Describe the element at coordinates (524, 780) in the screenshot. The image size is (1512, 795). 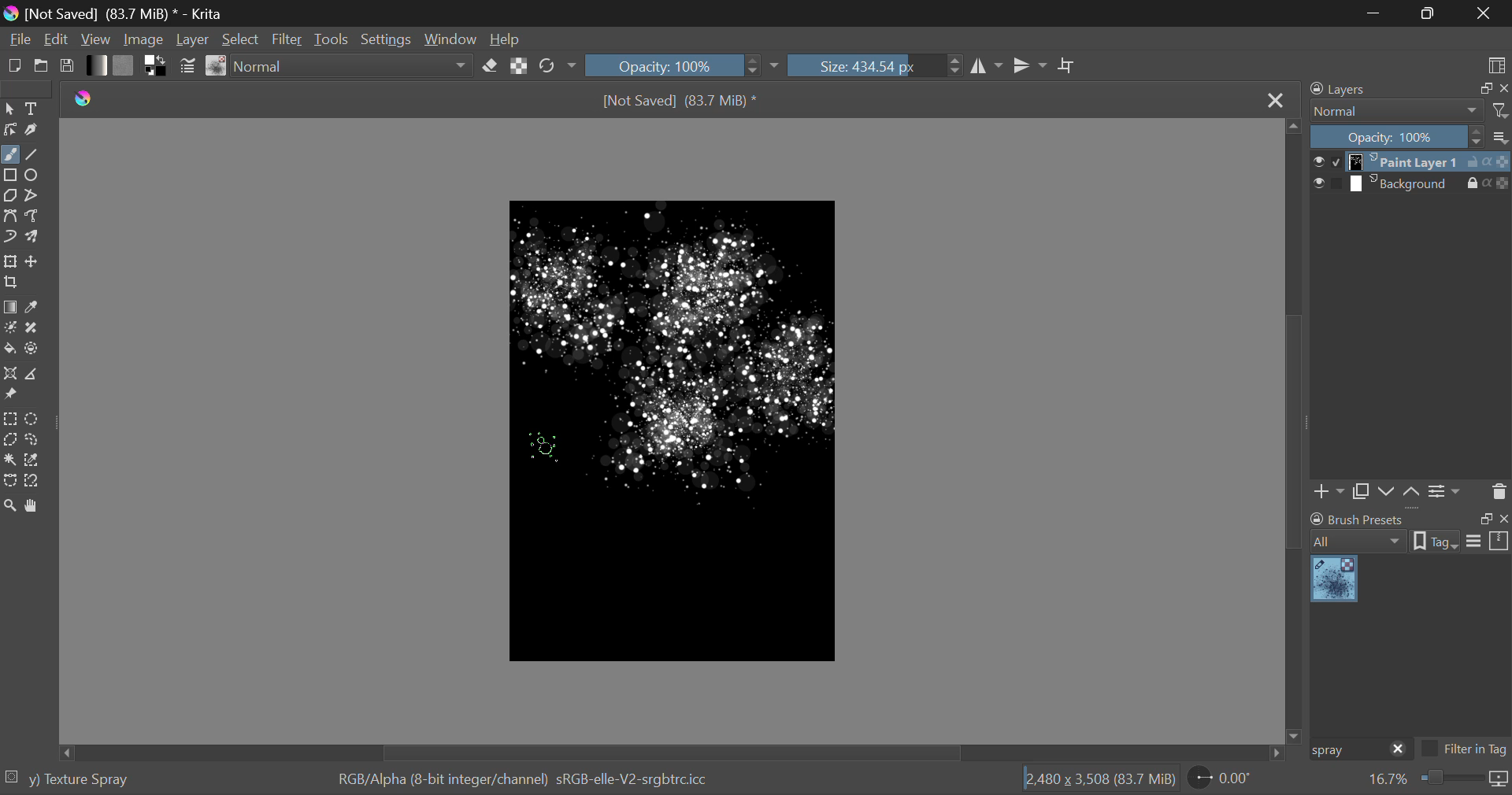
I see `RGB/Alpha (8-bit integer/channel) sRGB-elle-V2-srgbtrcicc` at that location.